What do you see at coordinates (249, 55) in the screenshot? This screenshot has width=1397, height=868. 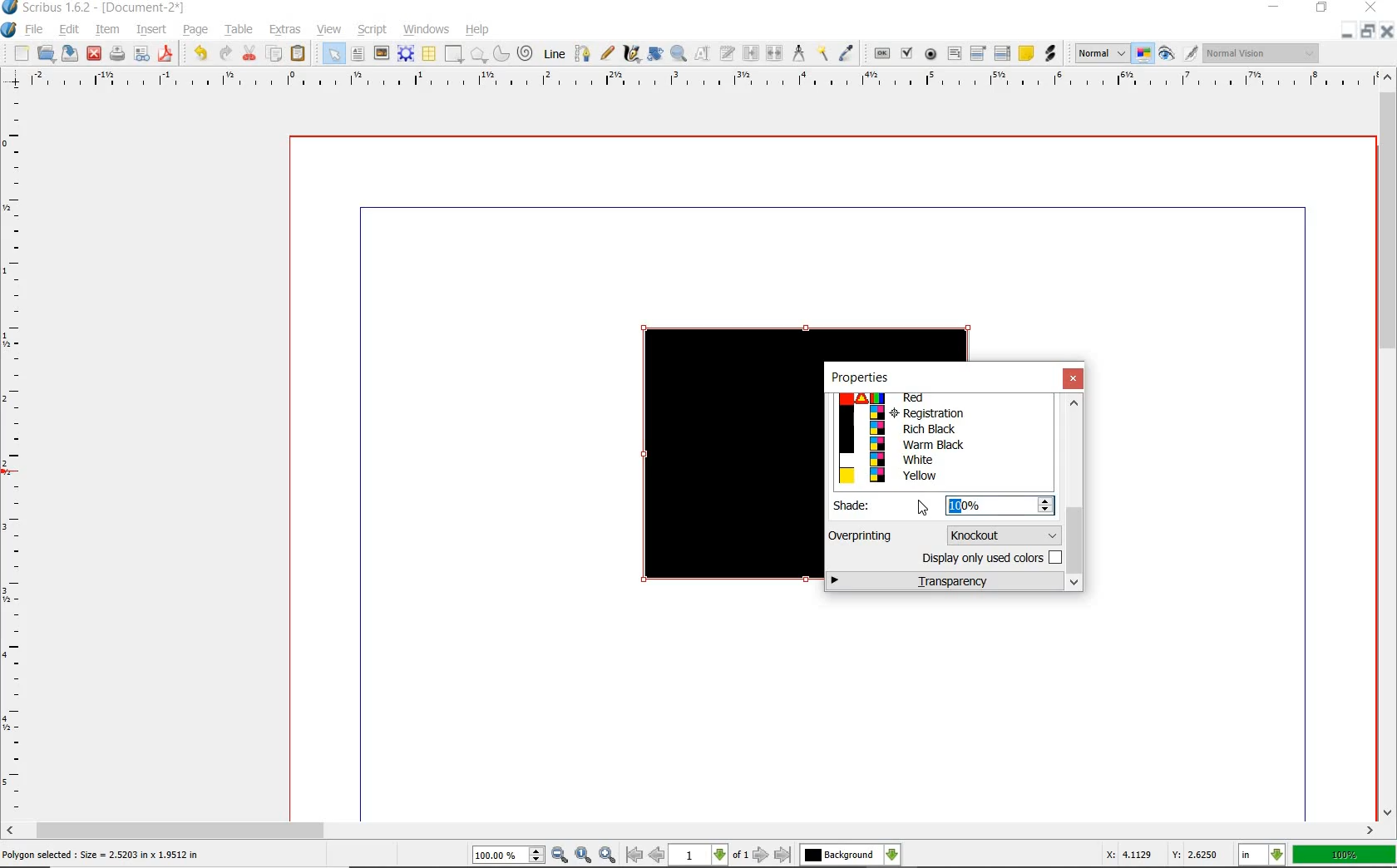 I see `cut` at bounding box center [249, 55].